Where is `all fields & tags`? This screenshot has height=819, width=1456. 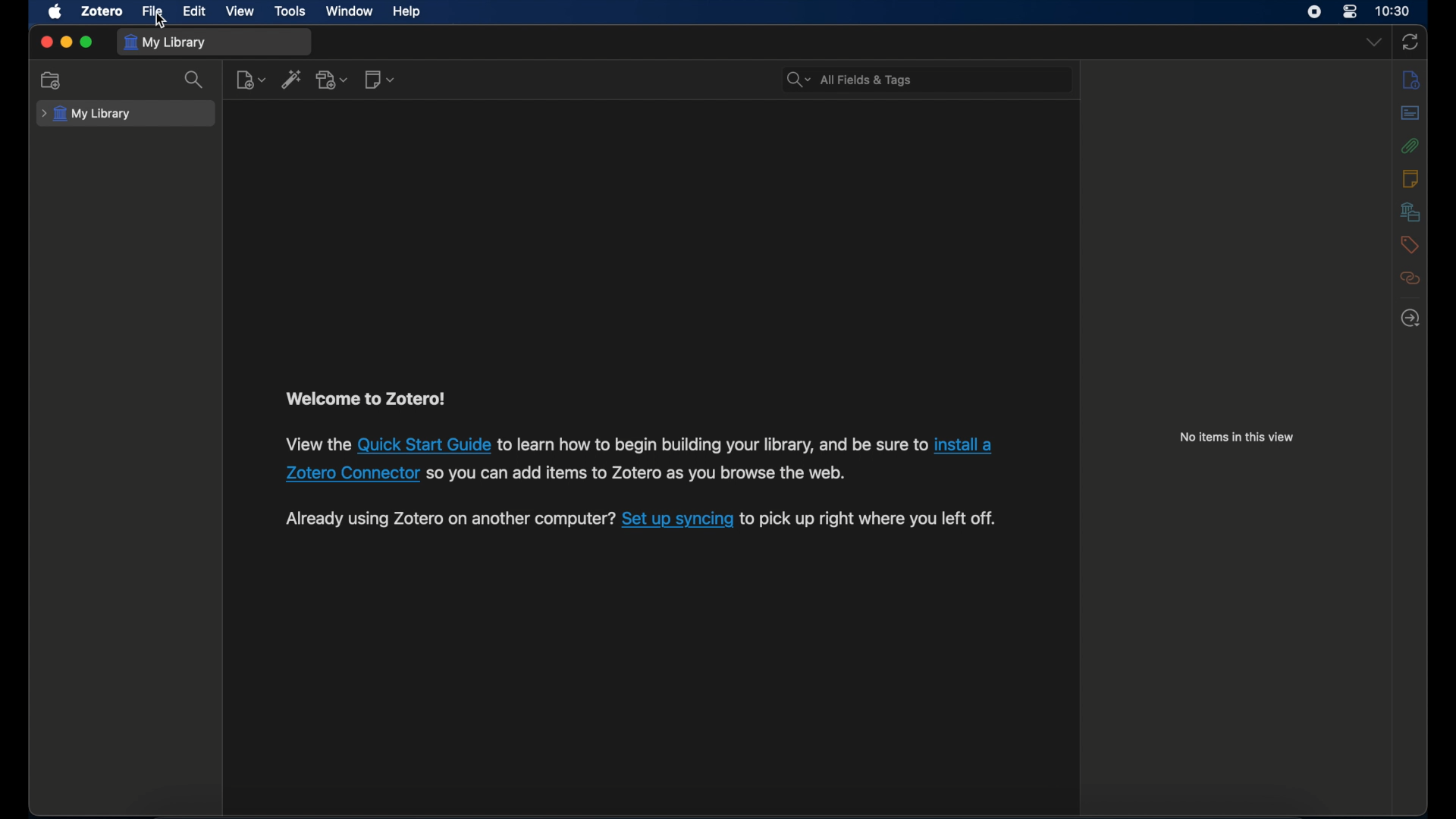 all fields & tags is located at coordinates (849, 79).